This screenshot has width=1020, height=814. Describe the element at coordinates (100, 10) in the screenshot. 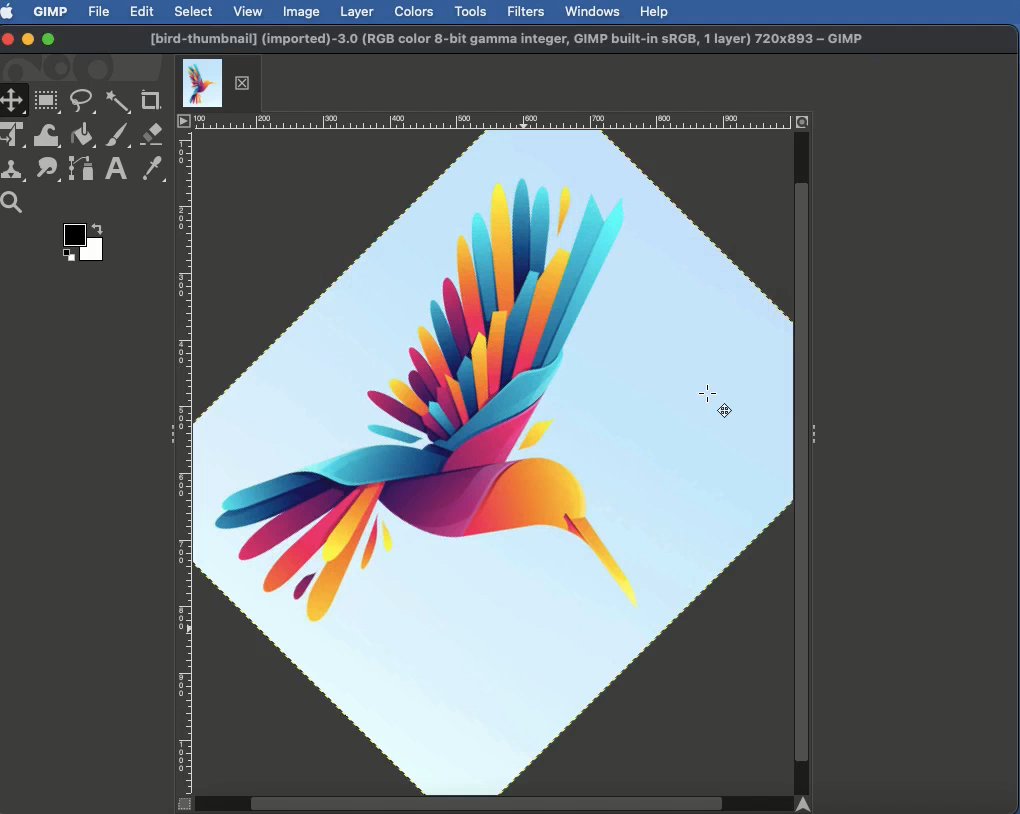

I see `File` at that location.